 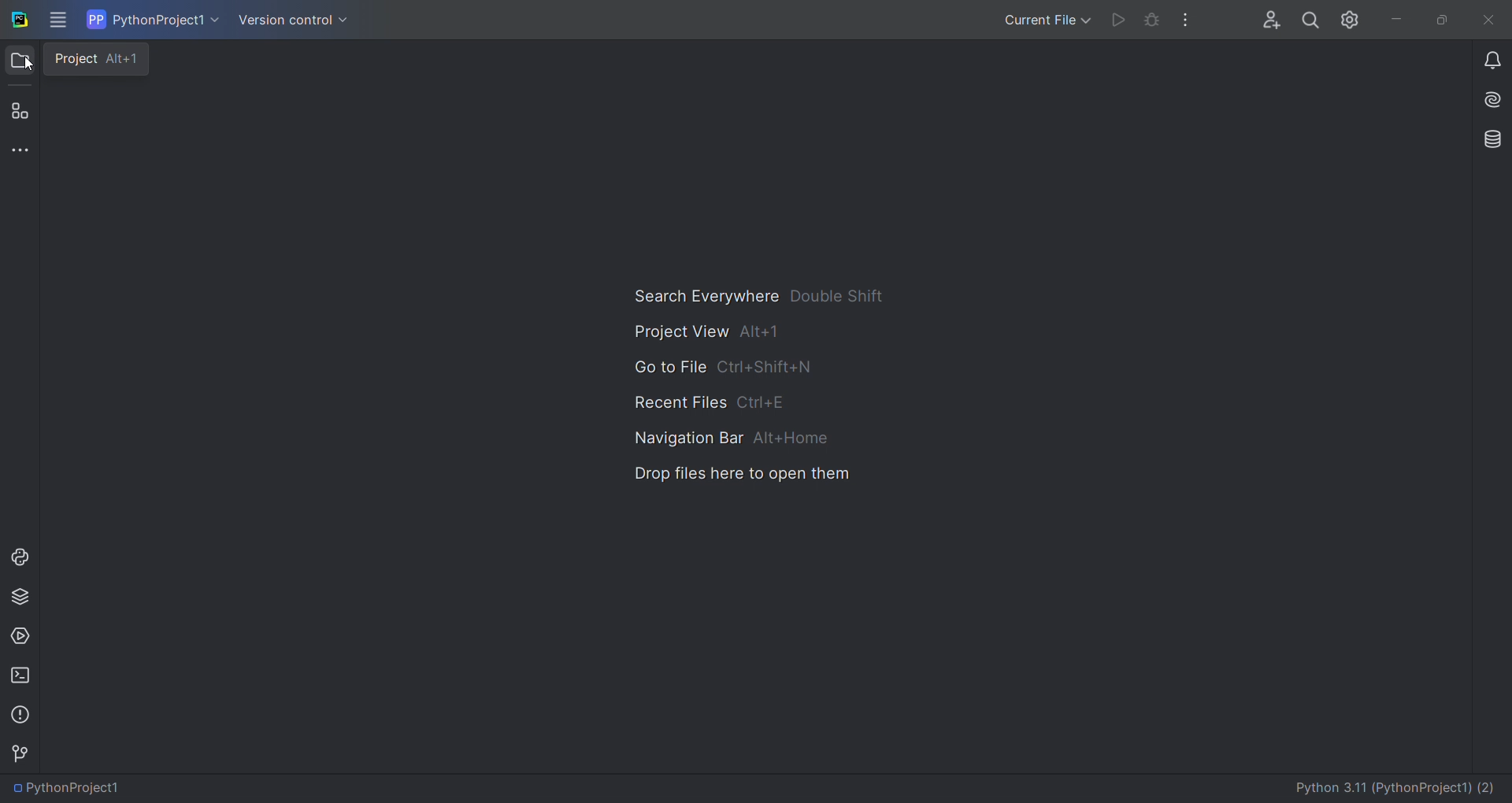 What do you see at coordinates (55, 21) in the screenshot?
I see `menu` at bounding box center [55, 21].